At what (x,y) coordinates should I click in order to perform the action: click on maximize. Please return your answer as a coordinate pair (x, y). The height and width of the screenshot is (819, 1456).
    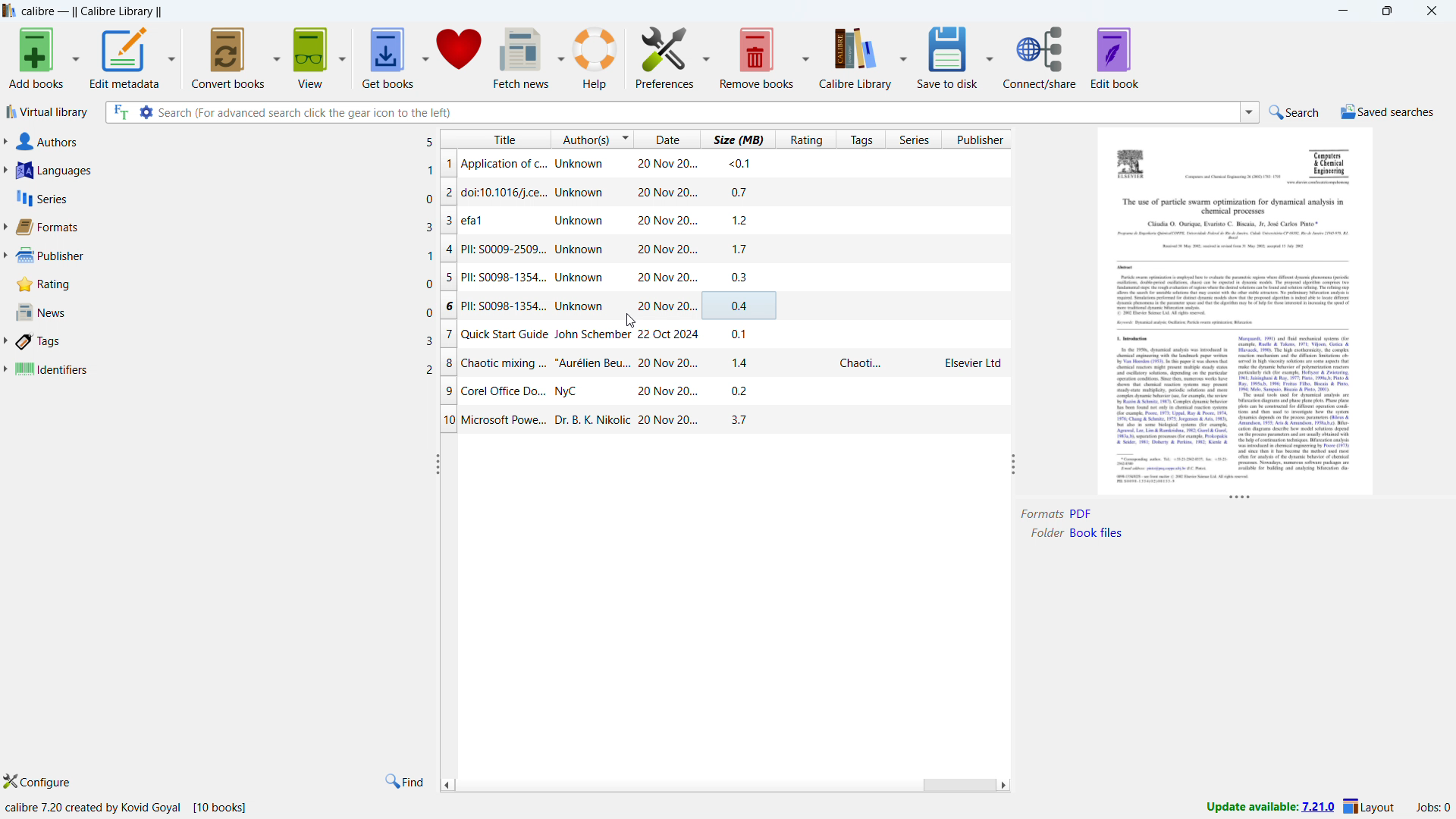
    Looking at the image, I should click on (1388, 10).